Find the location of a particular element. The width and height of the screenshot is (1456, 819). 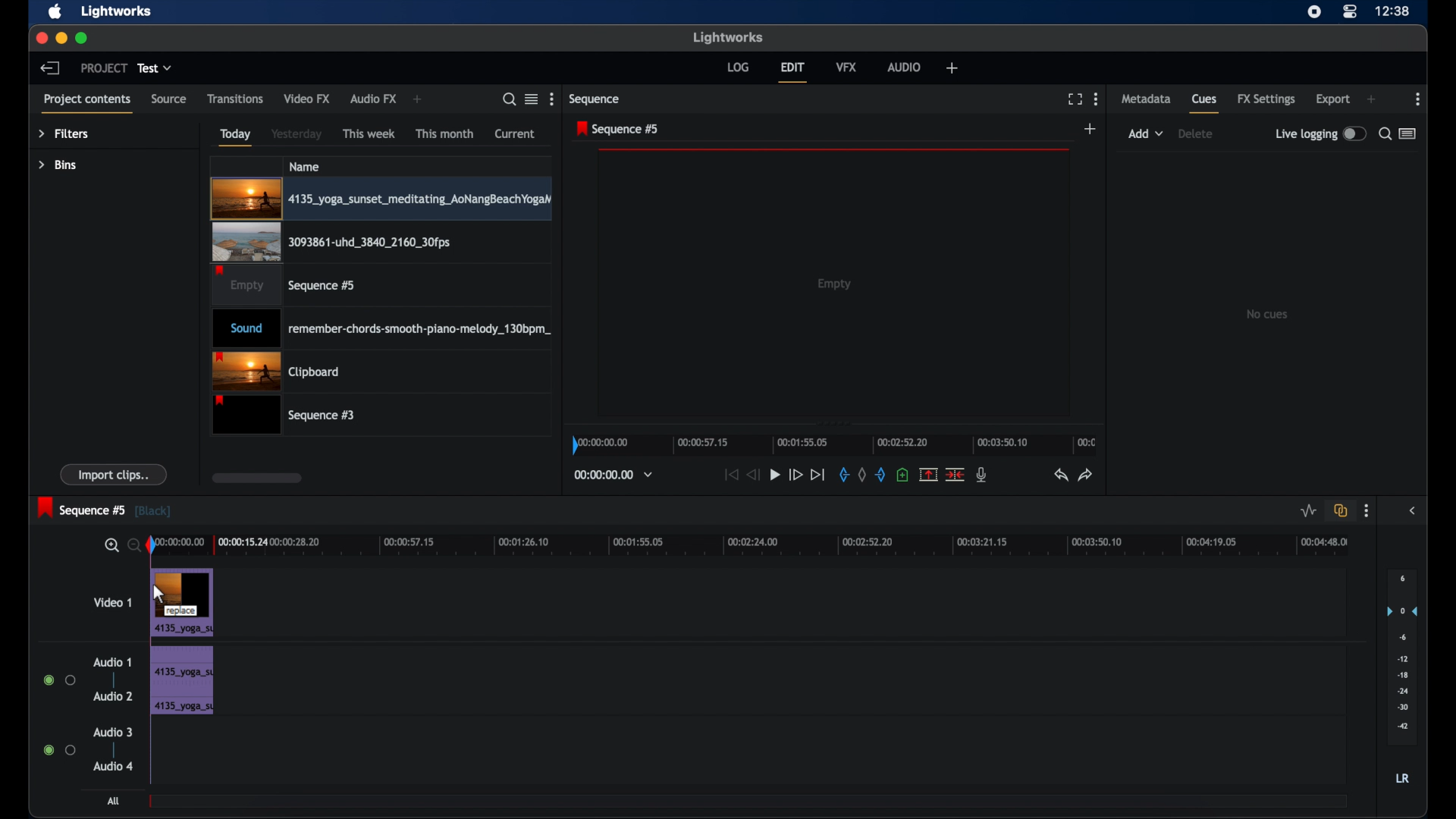

more options is located at coordinates (1097, 99).